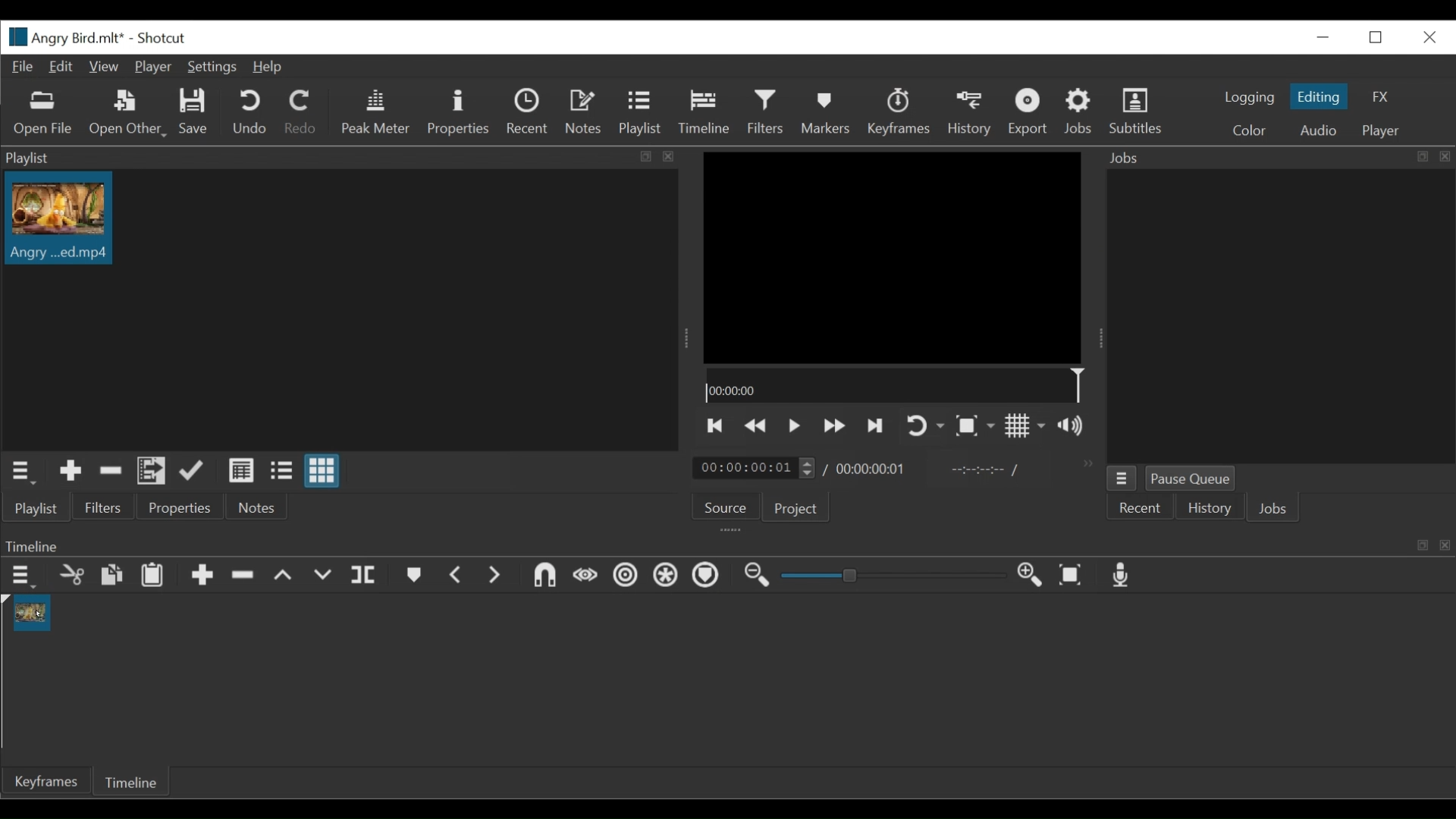  What do you see at coordinates (971, 115) in the screenshot?
I see `History` at bounding box center [971, 115].